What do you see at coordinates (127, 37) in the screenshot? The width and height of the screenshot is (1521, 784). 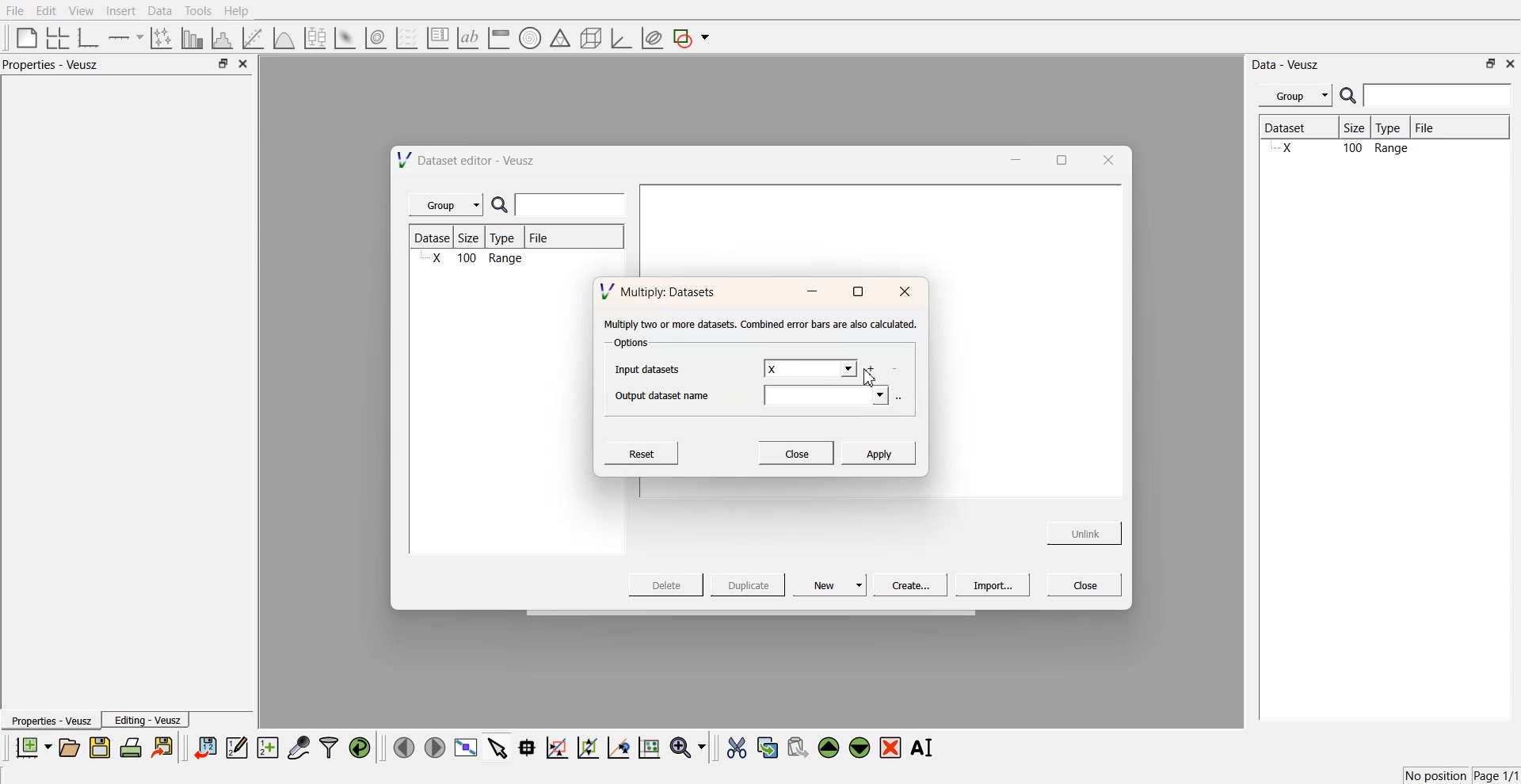 I see `add an axis` at bounding box center [127, 37].